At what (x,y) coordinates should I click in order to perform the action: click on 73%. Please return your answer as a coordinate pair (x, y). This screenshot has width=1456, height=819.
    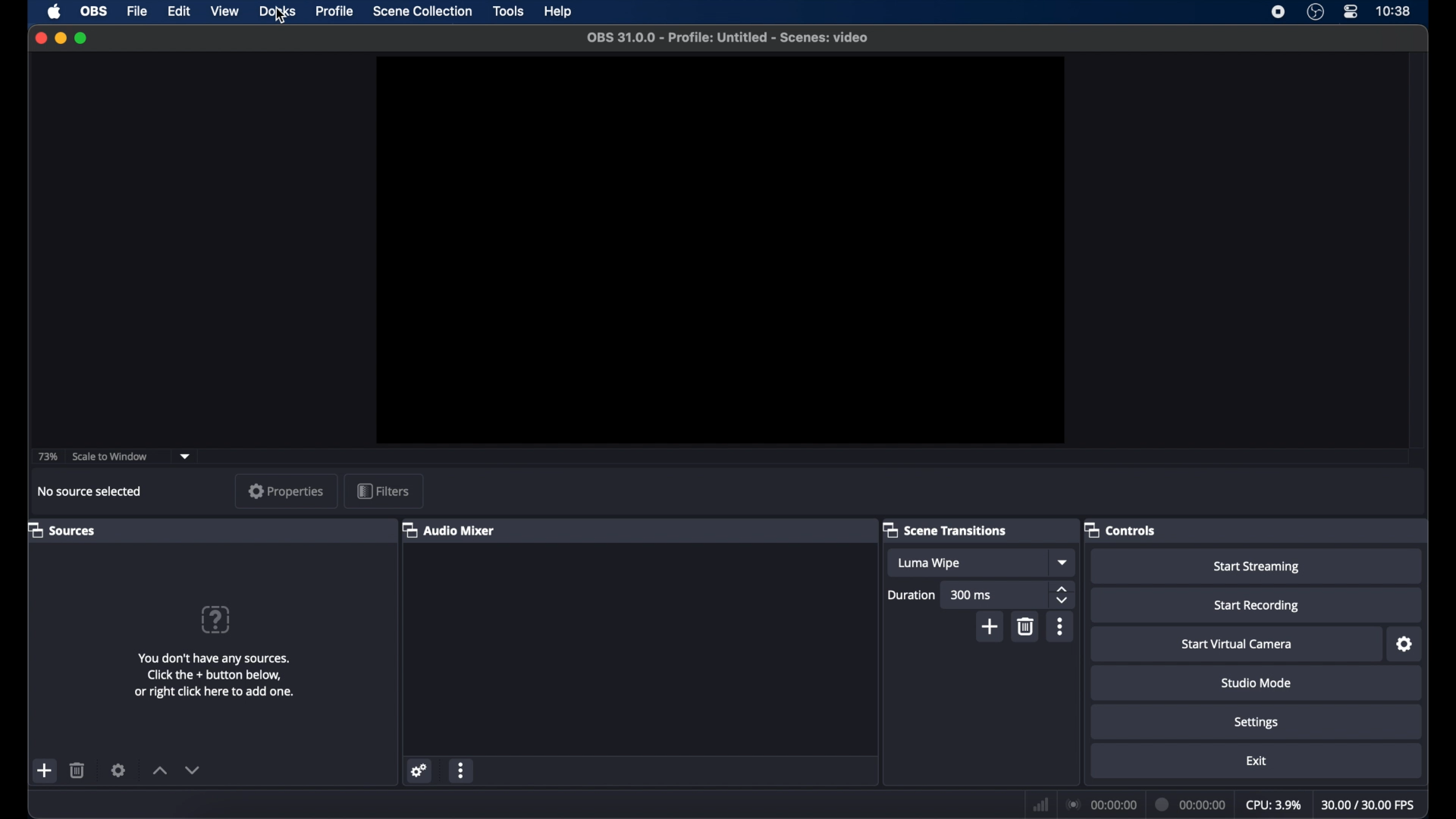
    Looking at the image, I should click on (47, 457).